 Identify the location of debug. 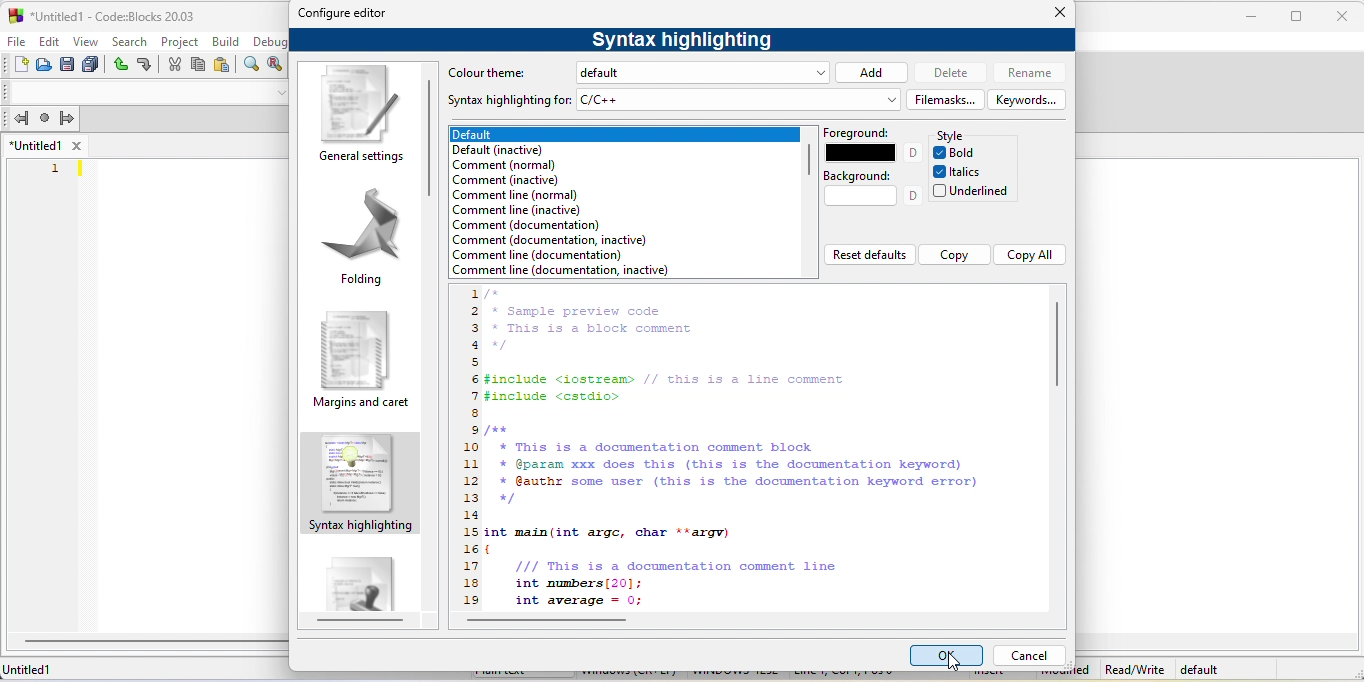
(270, 41).